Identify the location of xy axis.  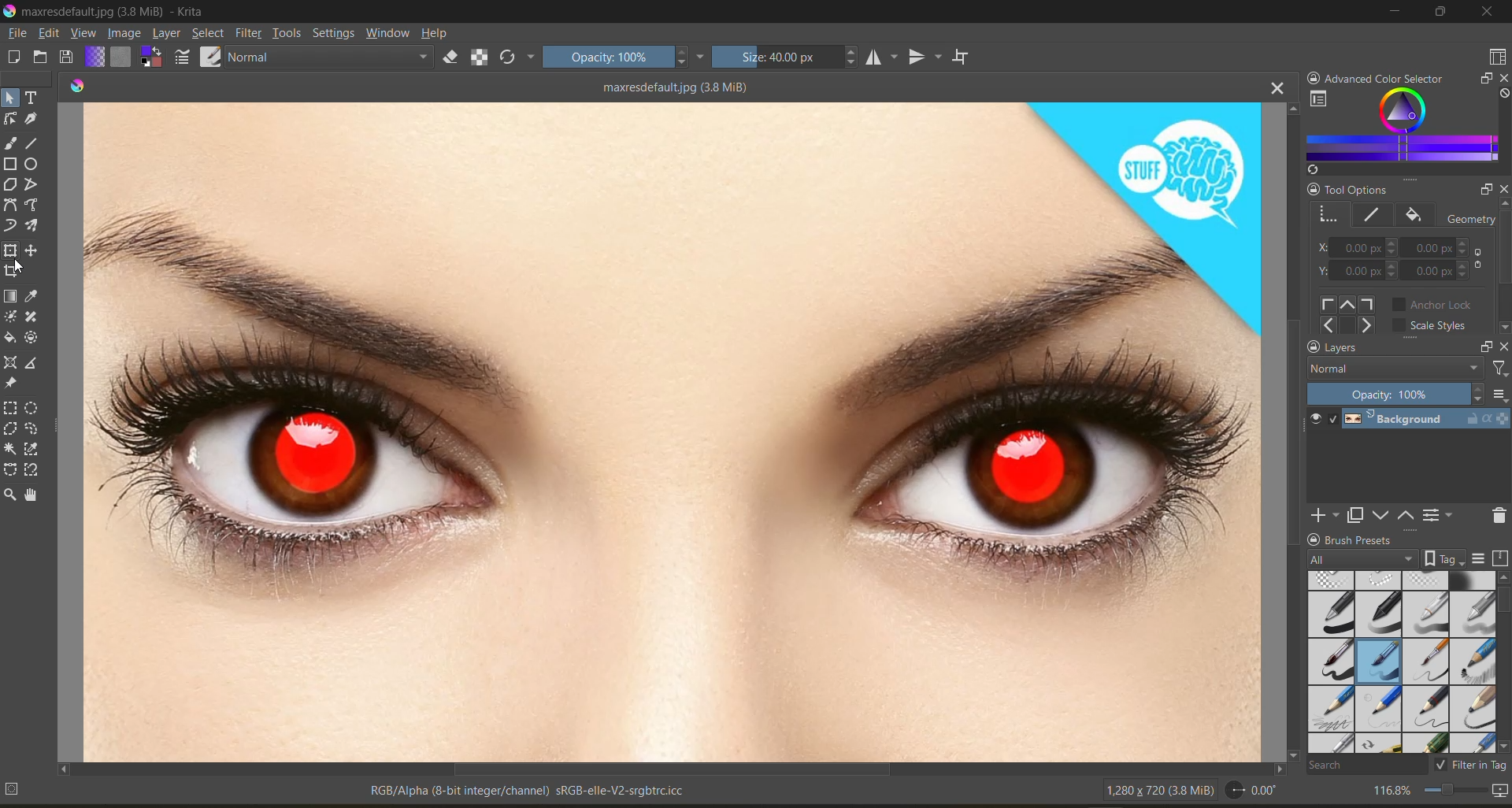
(1358, 247).